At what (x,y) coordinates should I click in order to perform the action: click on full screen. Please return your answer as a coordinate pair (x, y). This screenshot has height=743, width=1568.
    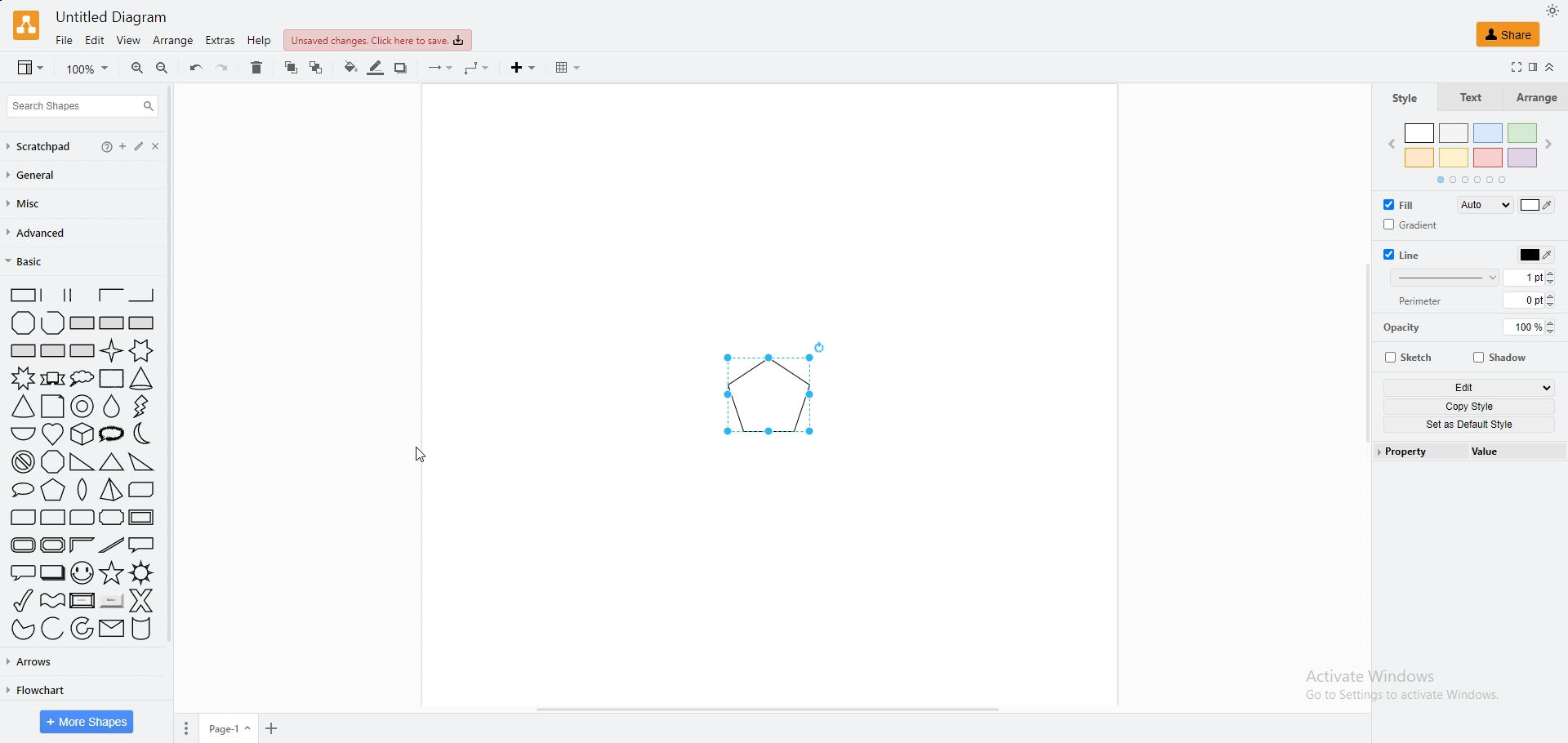
    Looking at the image, I should click on (1512, 67).